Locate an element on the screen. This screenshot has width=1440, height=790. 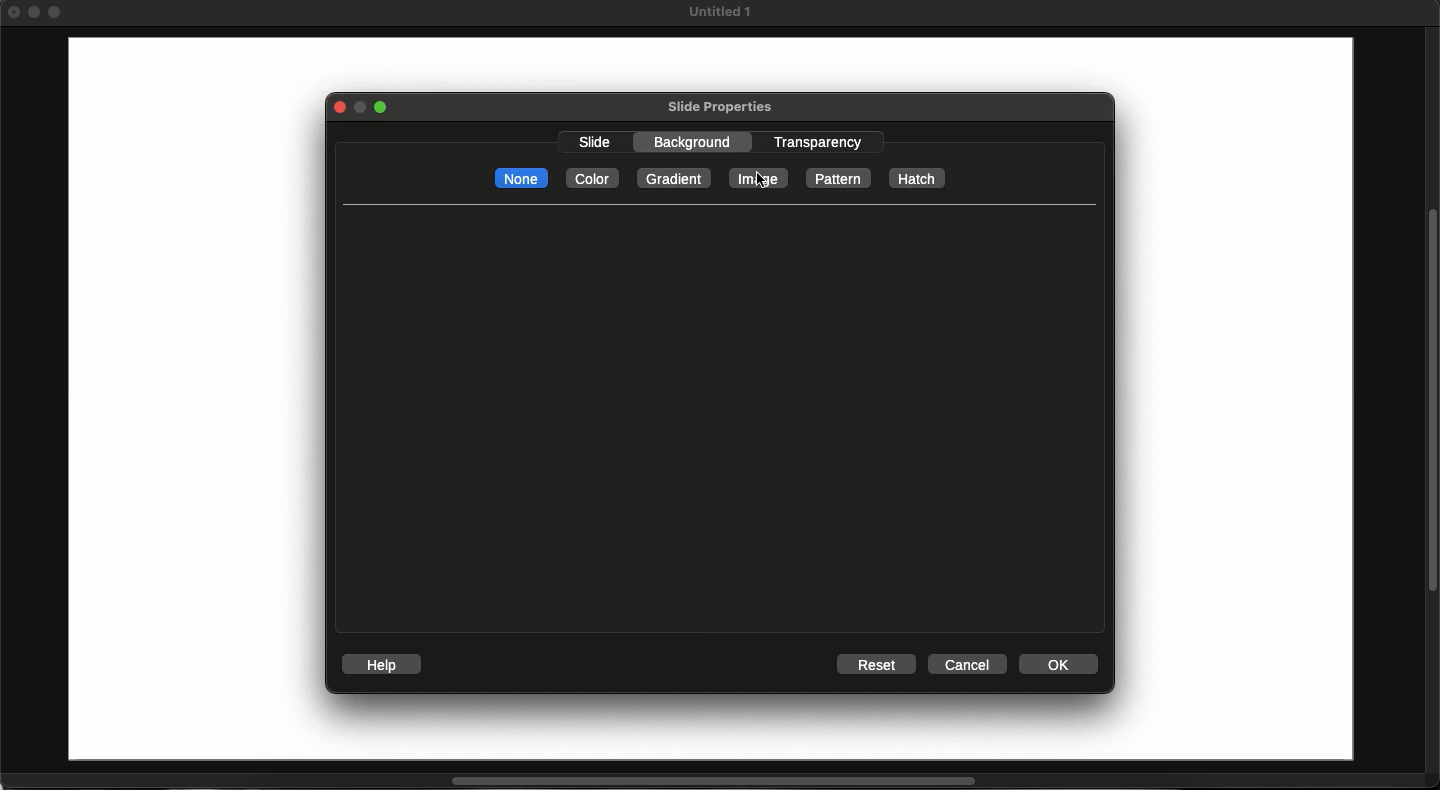
Background is located at coordinates (700, 142).